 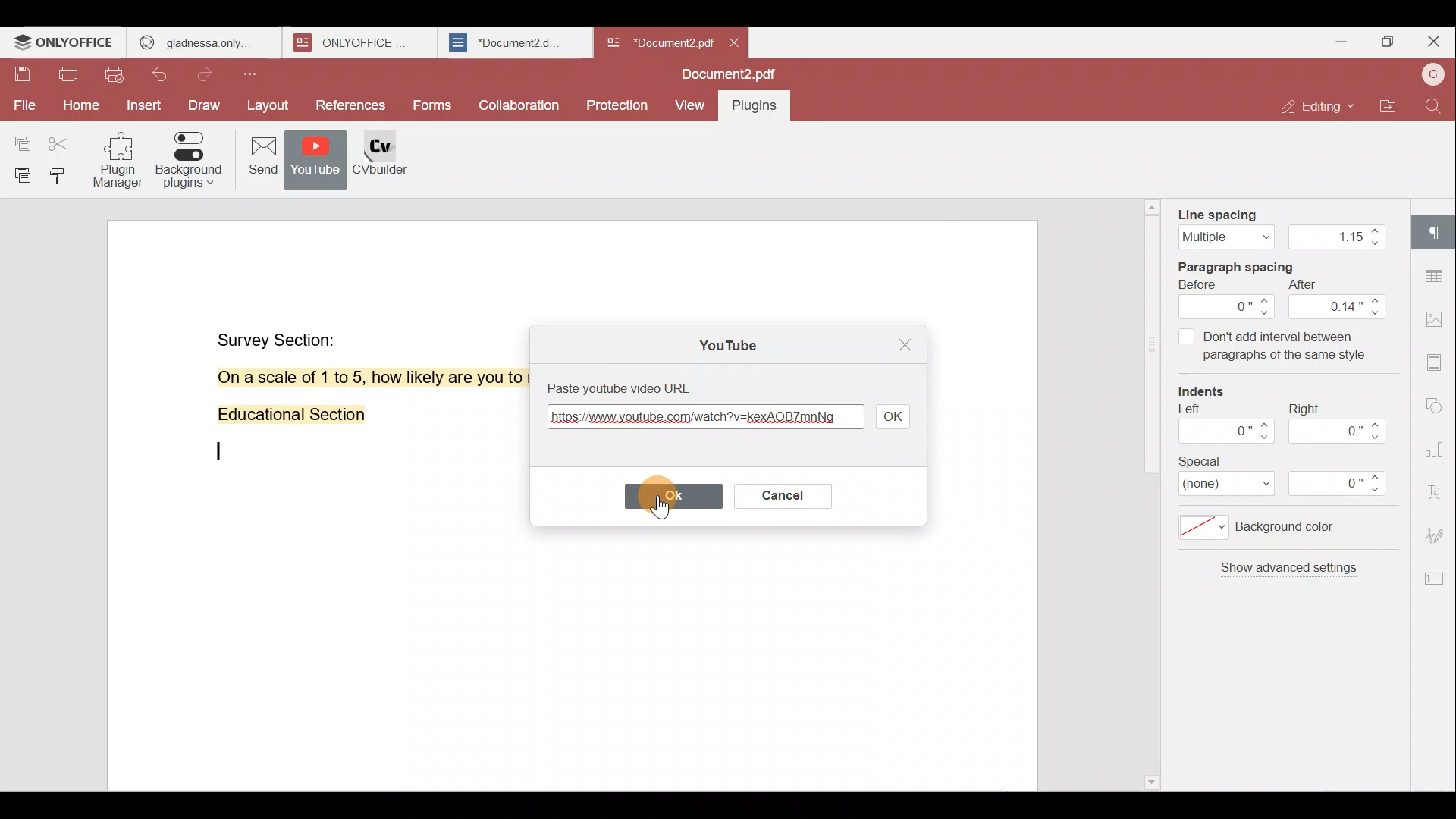 What do you see at coordinates (733, 76) in the screenshot?
I see `Document name` at bounding box center [733, 76].